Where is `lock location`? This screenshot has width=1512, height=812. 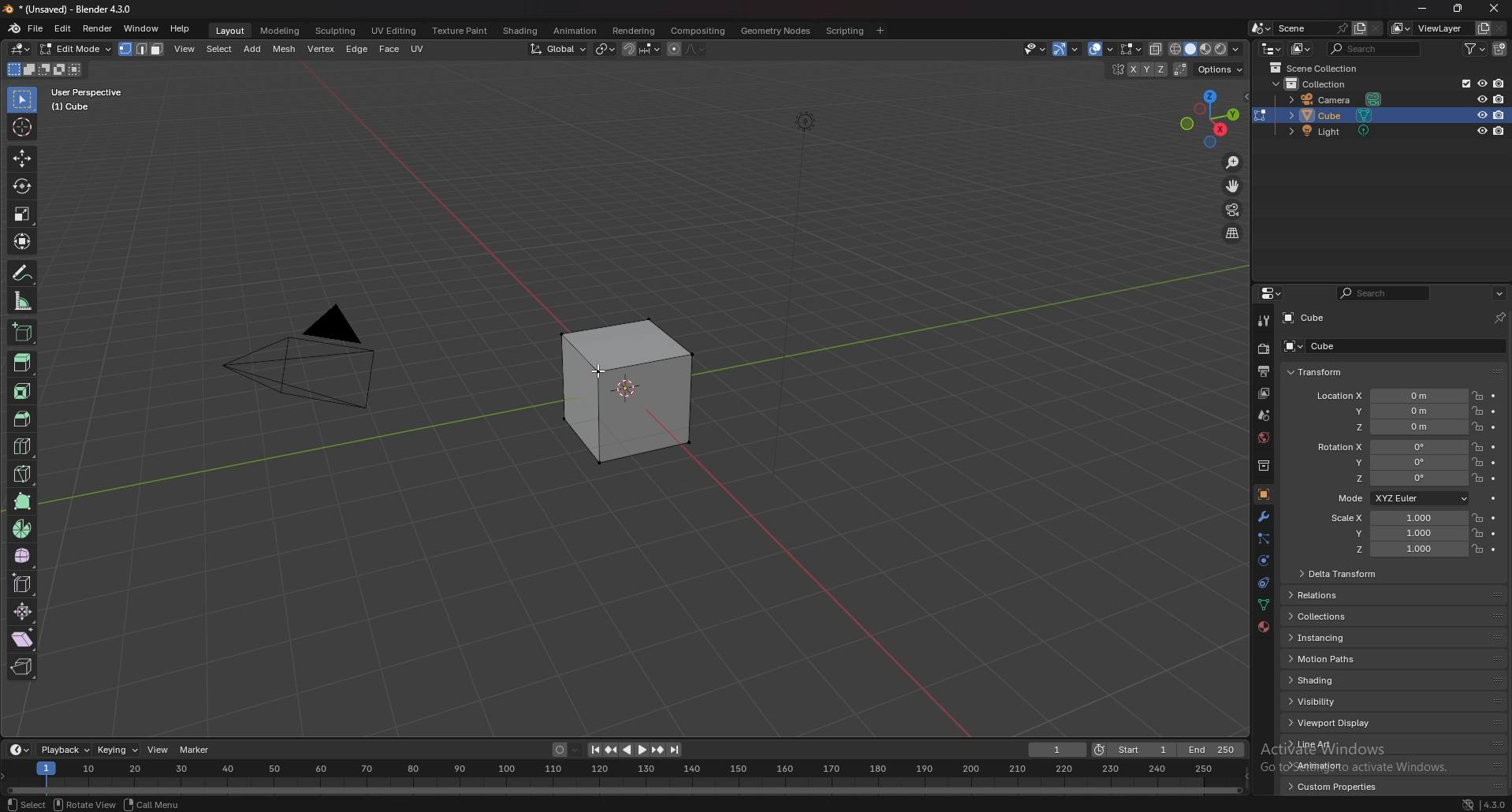 lock location is located at coordinates (1477, 549).